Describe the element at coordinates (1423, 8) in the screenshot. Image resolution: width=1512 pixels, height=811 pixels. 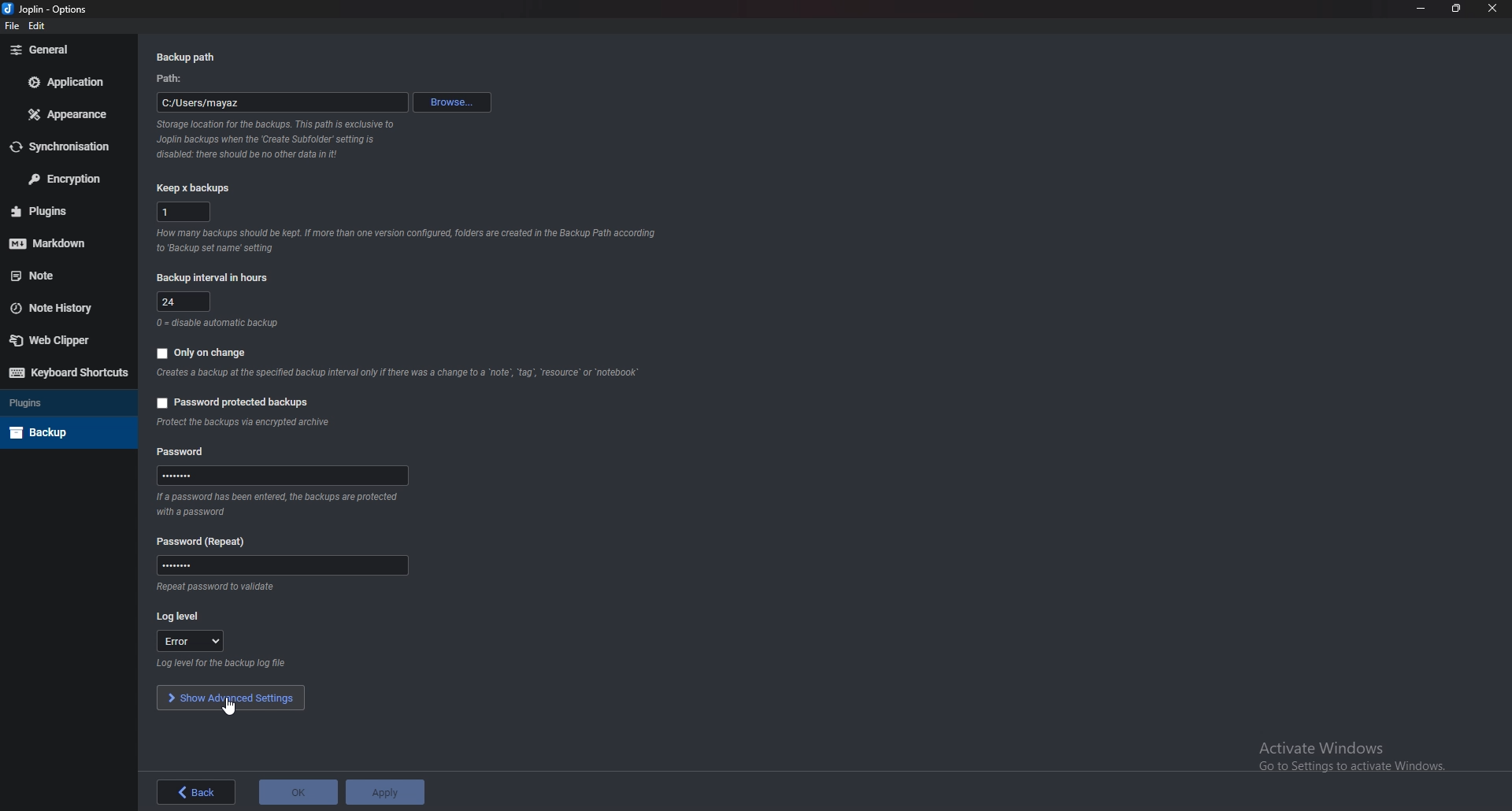
I see `Minimize` at that location.